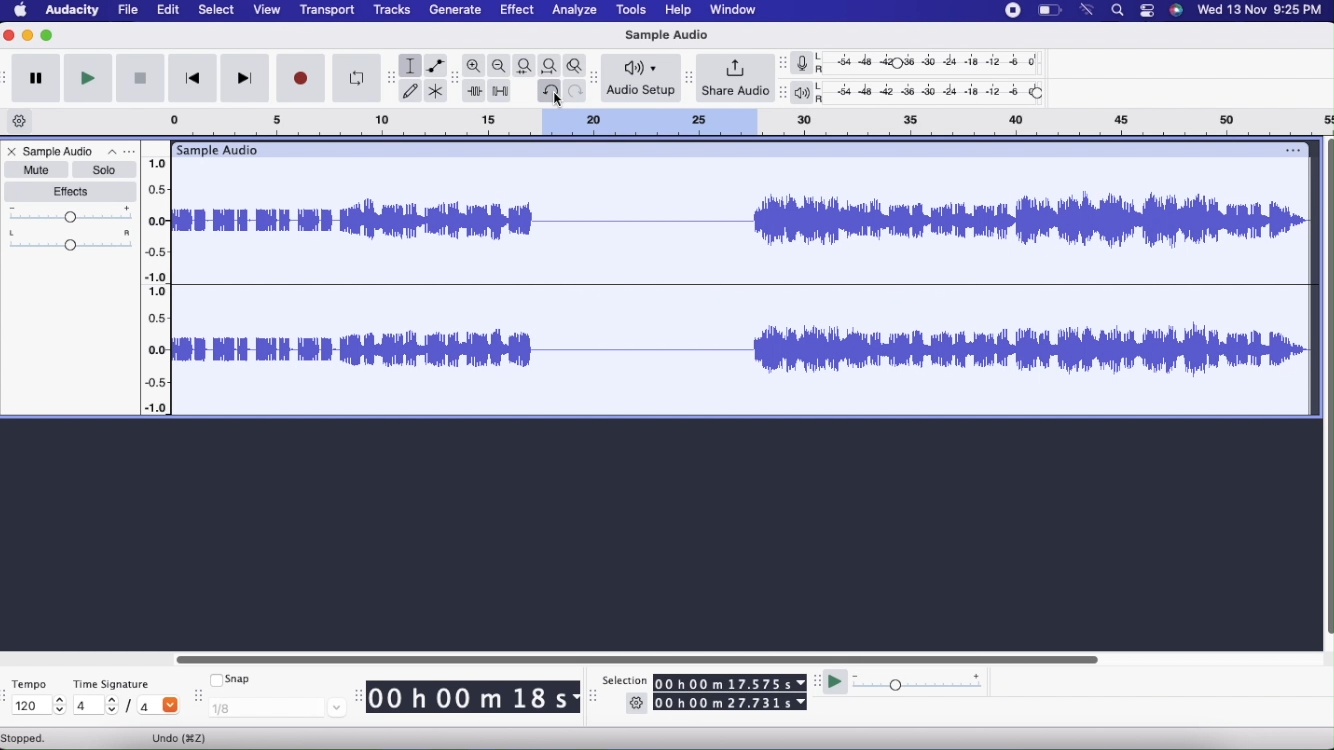 The image size is (1334, 750). Describe the element at coordinates (392, 11) in the screenshot. I see `Tracks` at that location.